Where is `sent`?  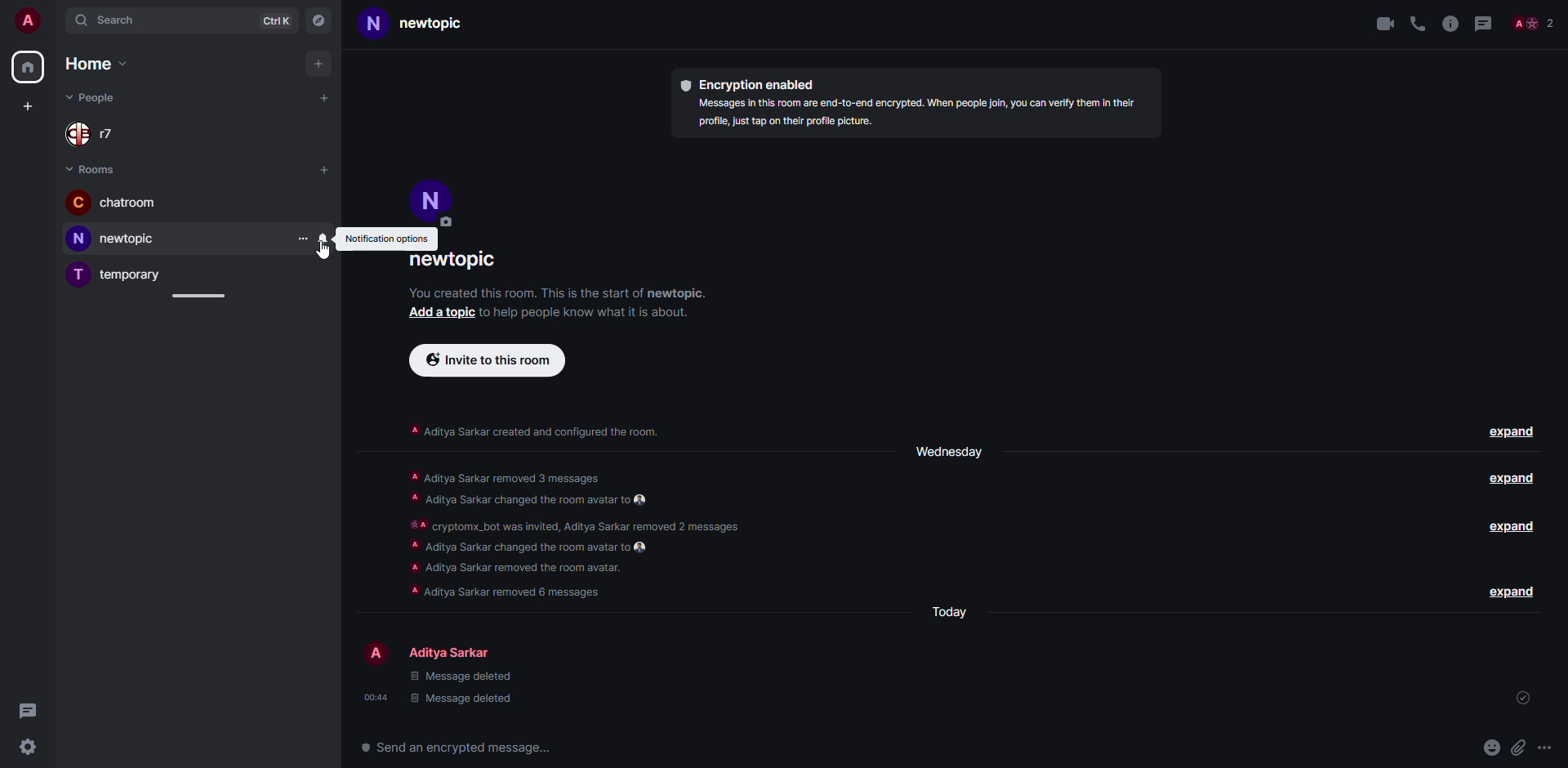 sent is located at coordinates (1525, 695).